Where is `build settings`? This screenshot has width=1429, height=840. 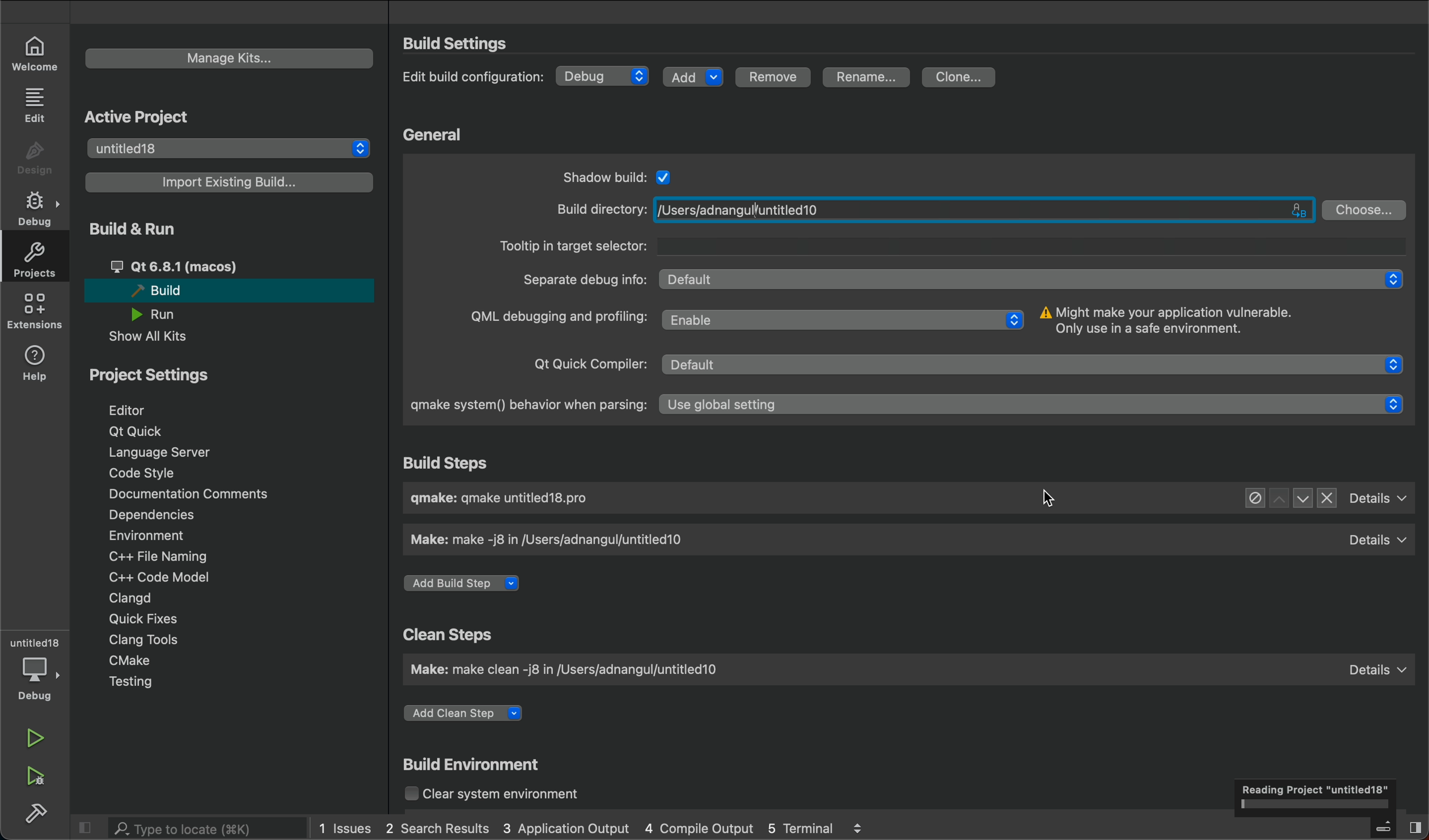 build settings is located at coordinates (477, 44).